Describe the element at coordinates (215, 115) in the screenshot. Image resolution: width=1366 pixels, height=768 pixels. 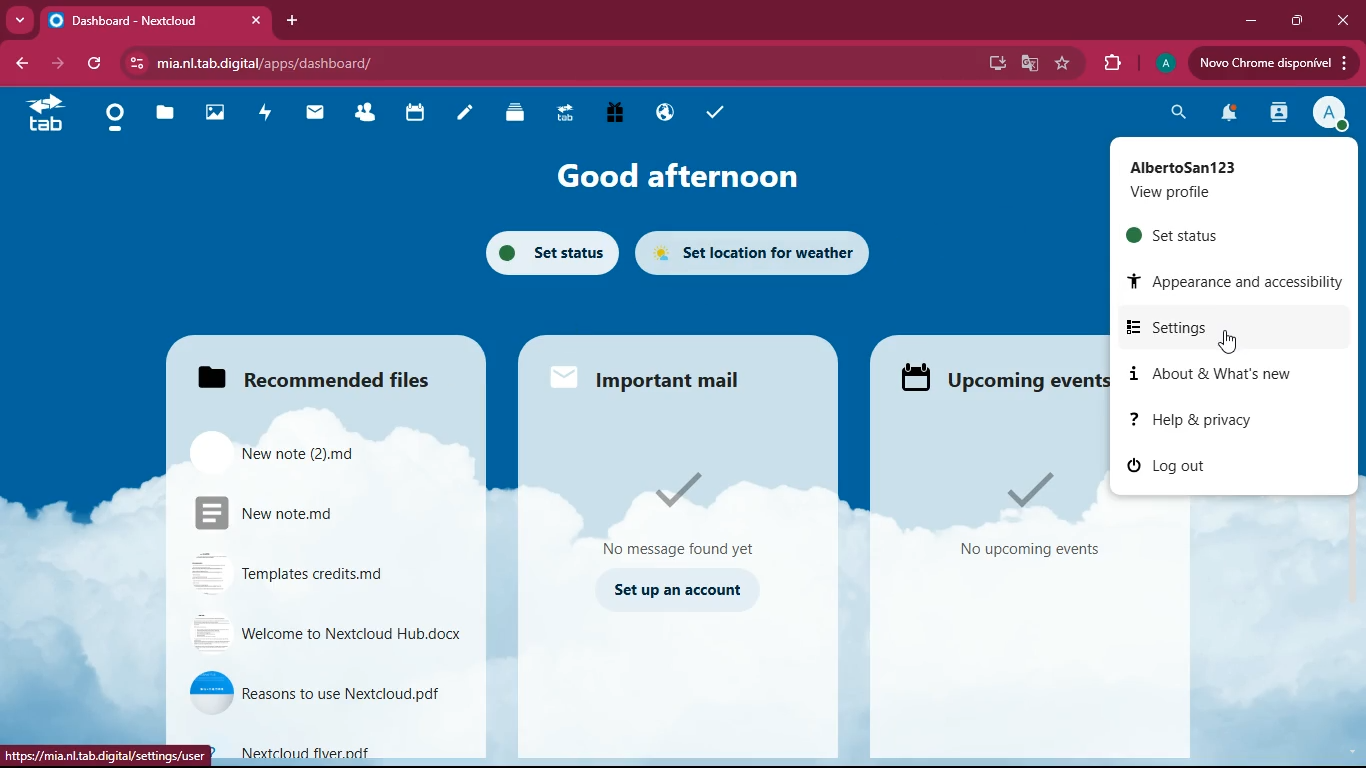
I see `images` at that location.